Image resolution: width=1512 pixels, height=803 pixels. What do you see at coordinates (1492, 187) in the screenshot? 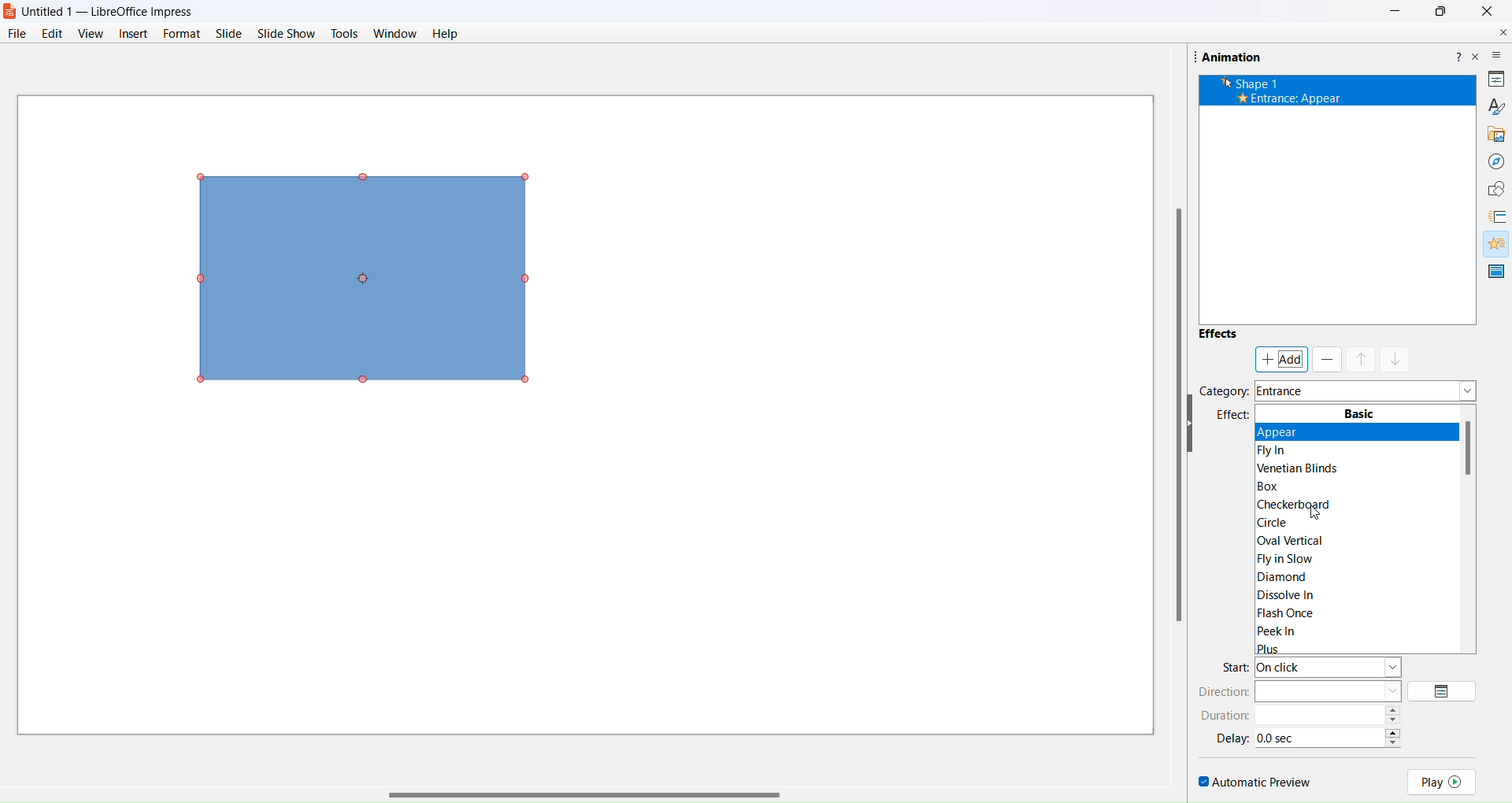
I see `shapes` at bounding box center [1492, 187].